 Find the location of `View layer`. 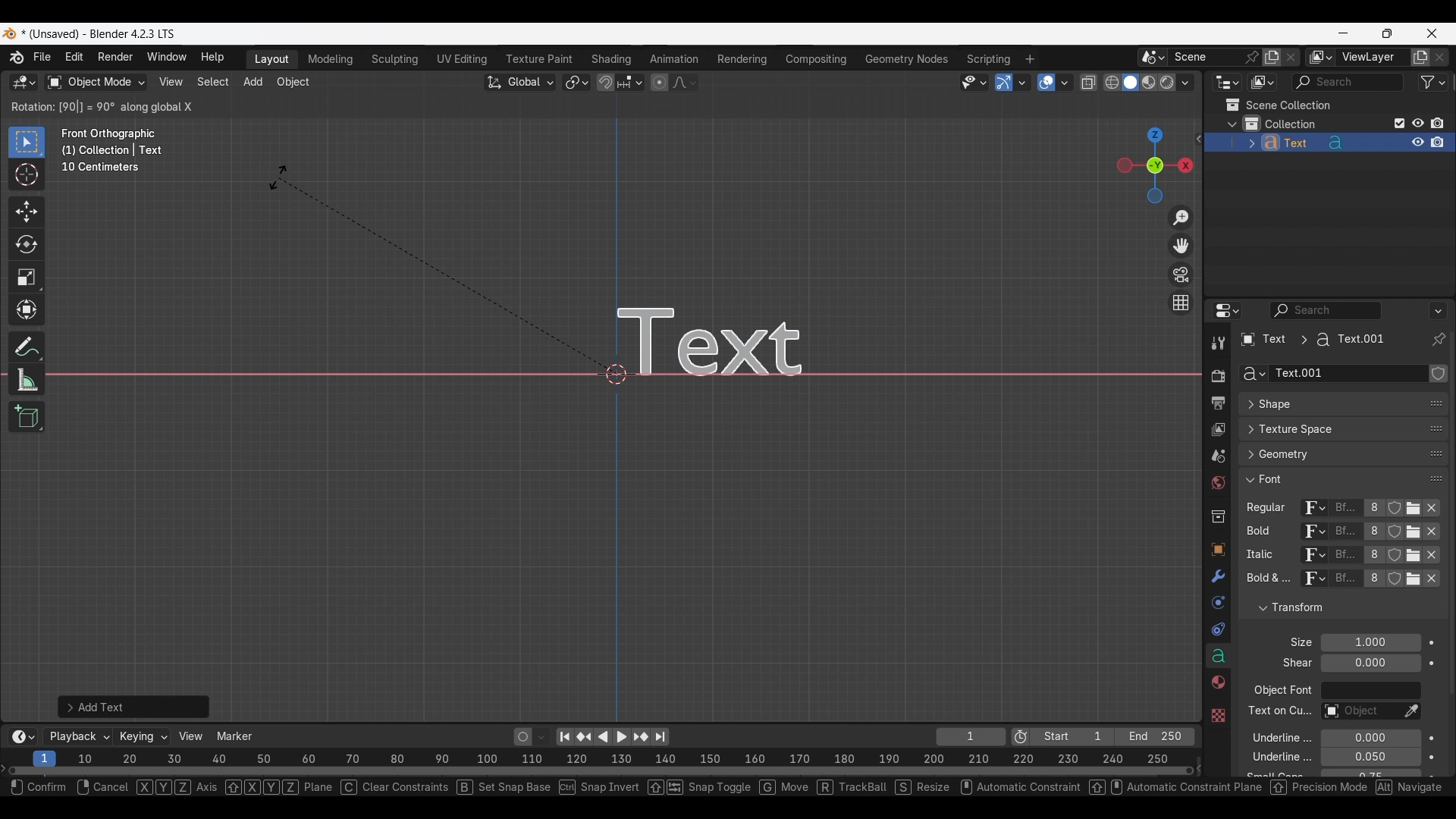

View layer is located at coordinates (1217, 431).